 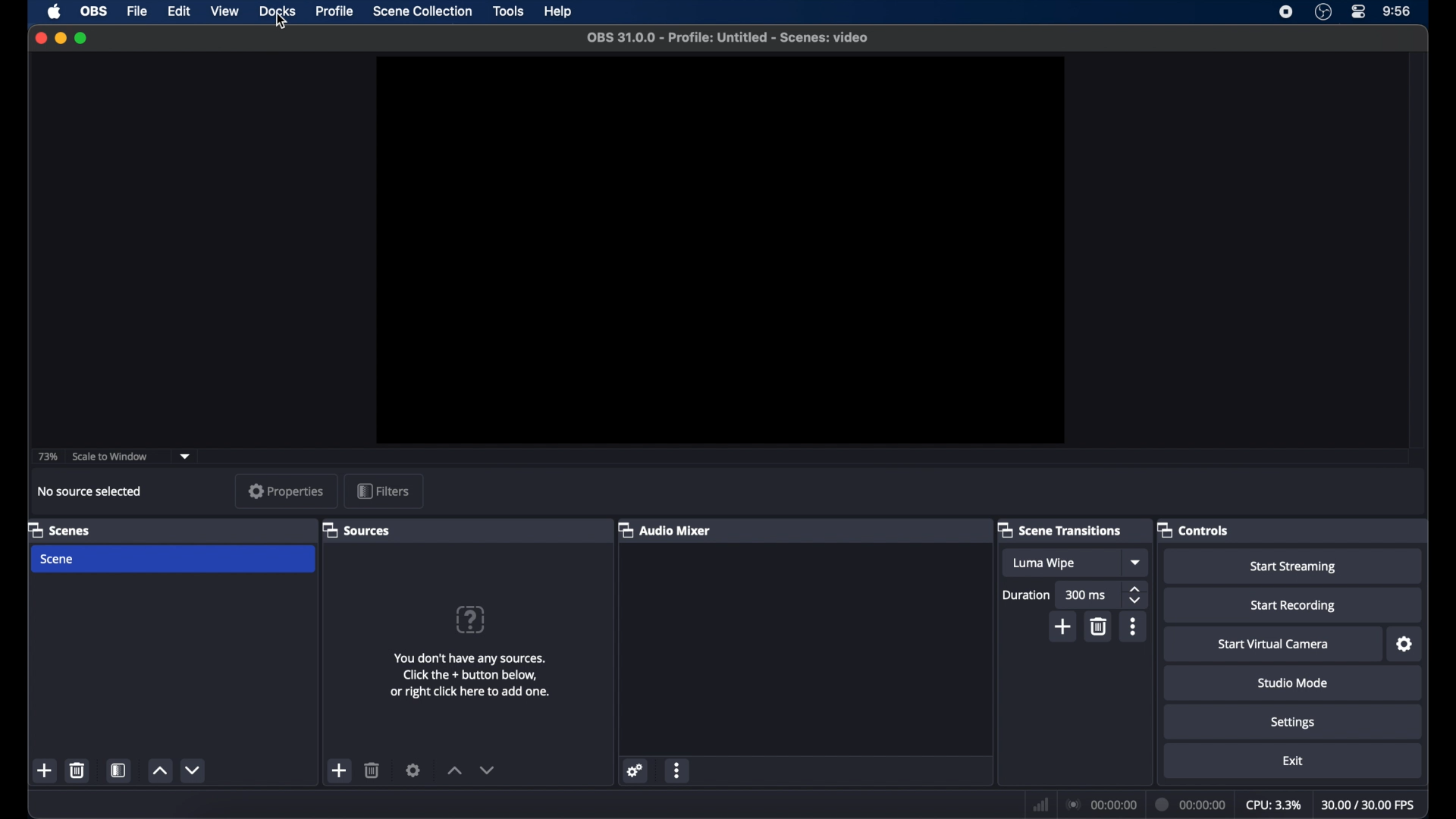 What do you see at coordinates (1134, 563) in the screenshot?
I see `dropdown` at bounding box center [1134, 563].